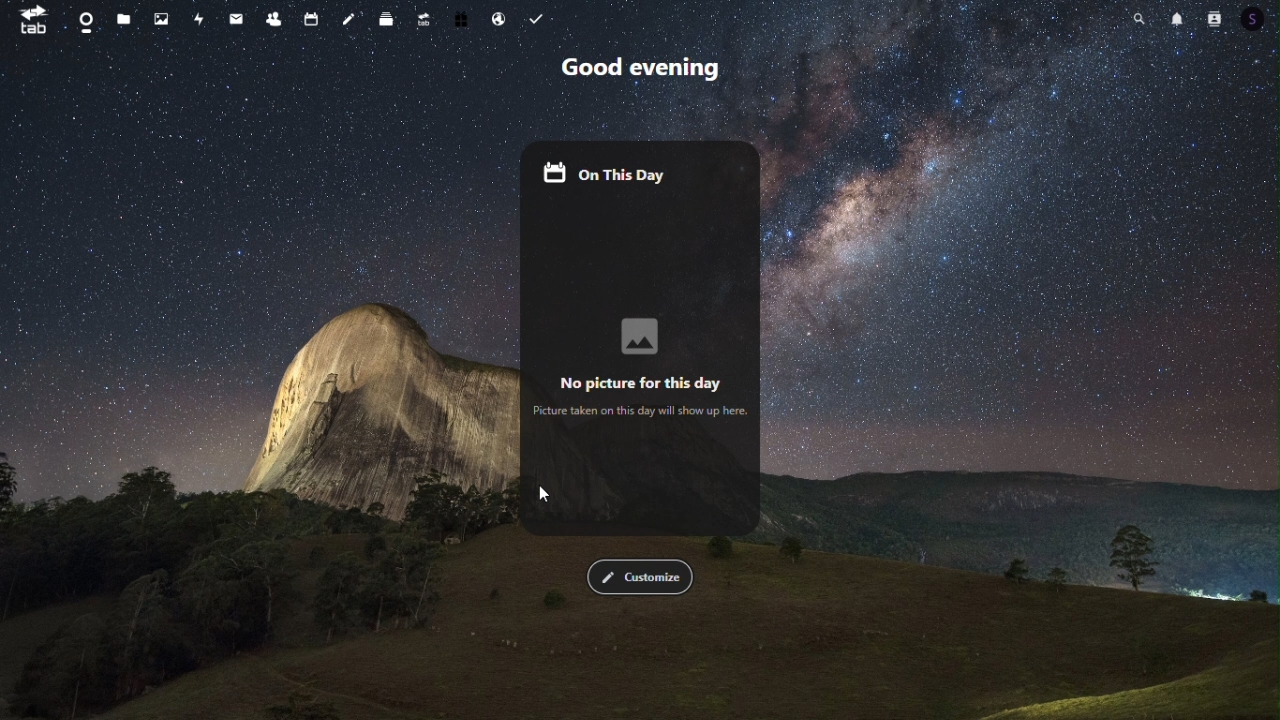 The height and width of the screenshot is (720, 1280). Describe the element at coordinates (639, 576) in the screenshot. I see `Customize` at that location.